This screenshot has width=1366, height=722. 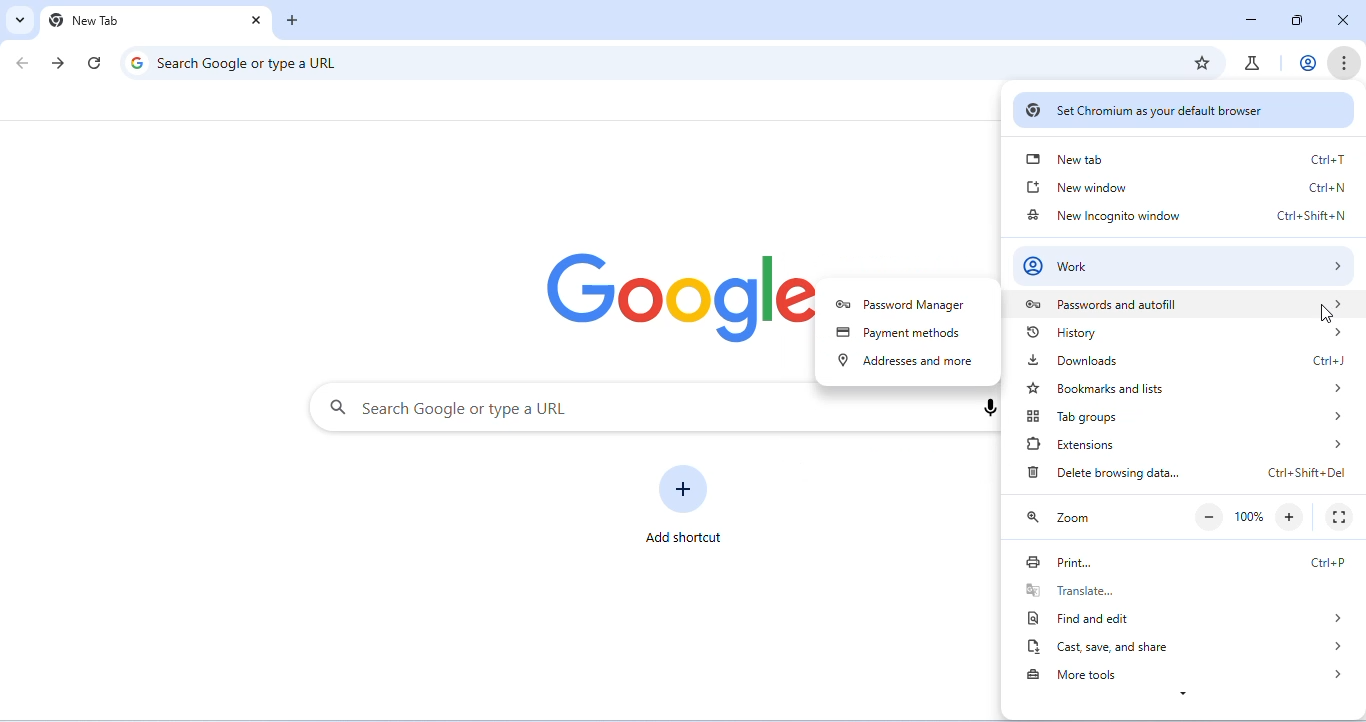 I want to click on cast, save and share, so click(x=1183, y=648).